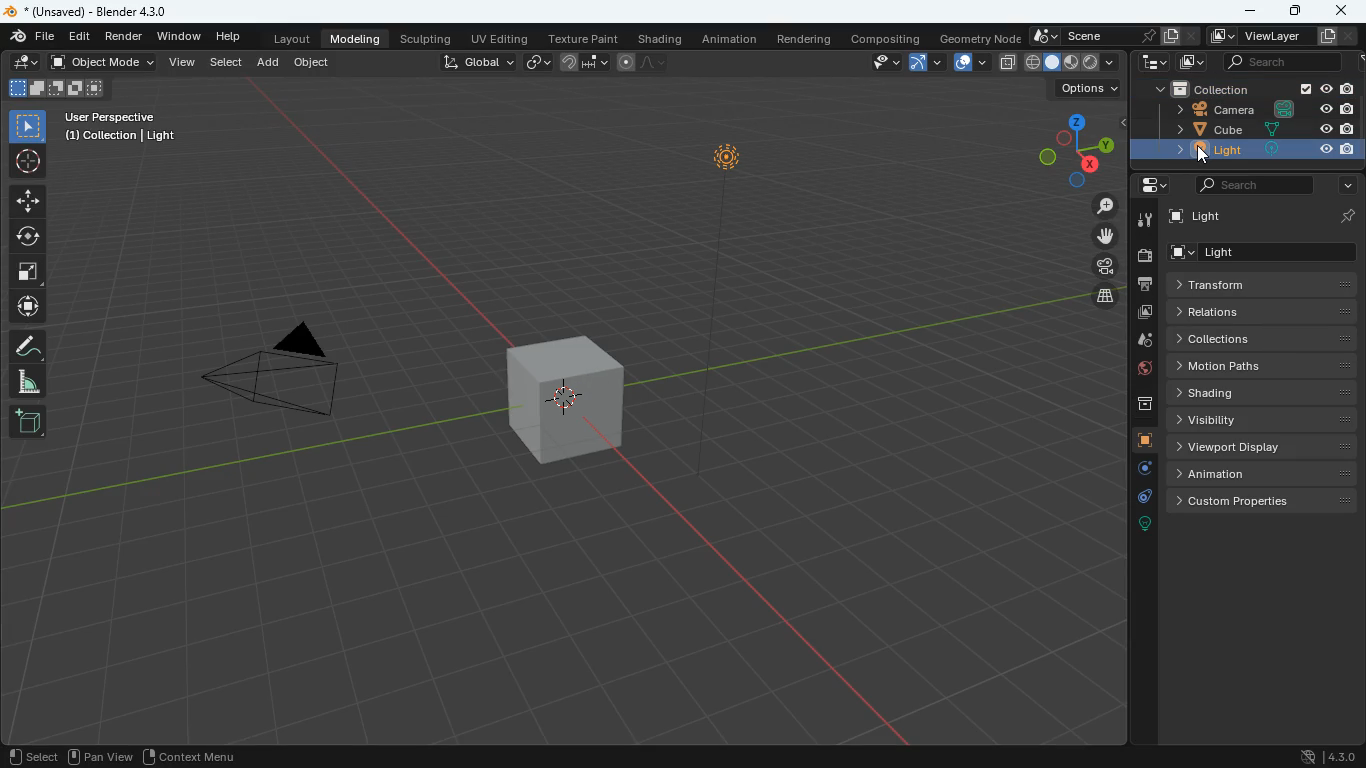 The width and height of the screenshot is (1366, 768). What do you see at coordinates (1142, 371) in the screenshot?
I see `public` at bounding box center [1142, 371].